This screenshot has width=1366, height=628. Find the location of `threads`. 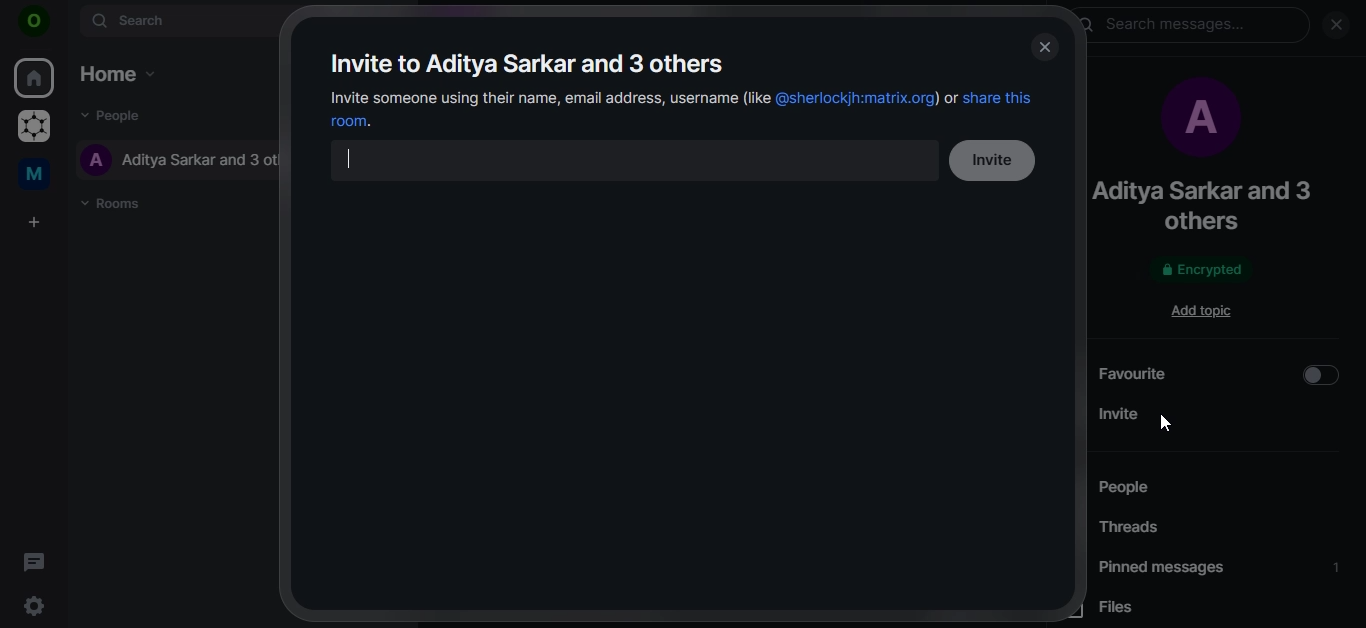

threads is located at coordinates (34, 561).